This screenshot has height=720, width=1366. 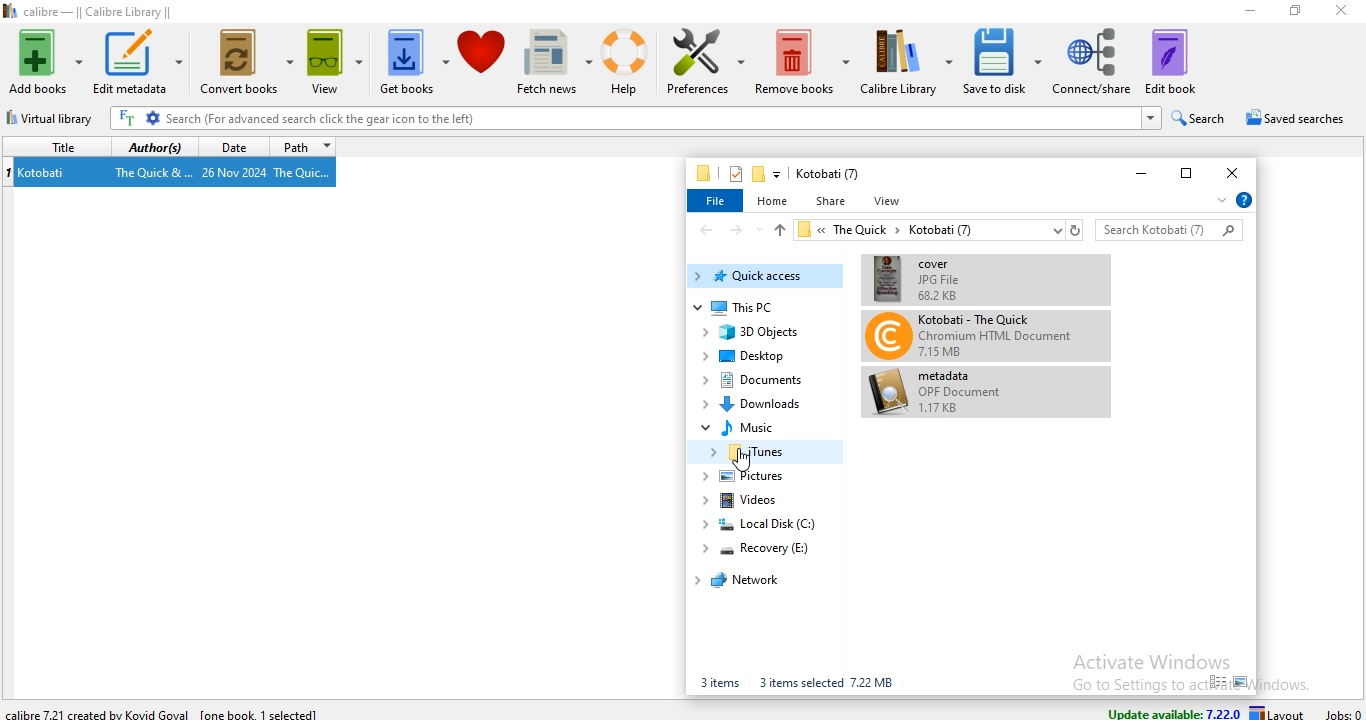 What do you see at coordinates (554, 60) in the screenshot?
I see `fetch news` at bounding box center [554, 60].